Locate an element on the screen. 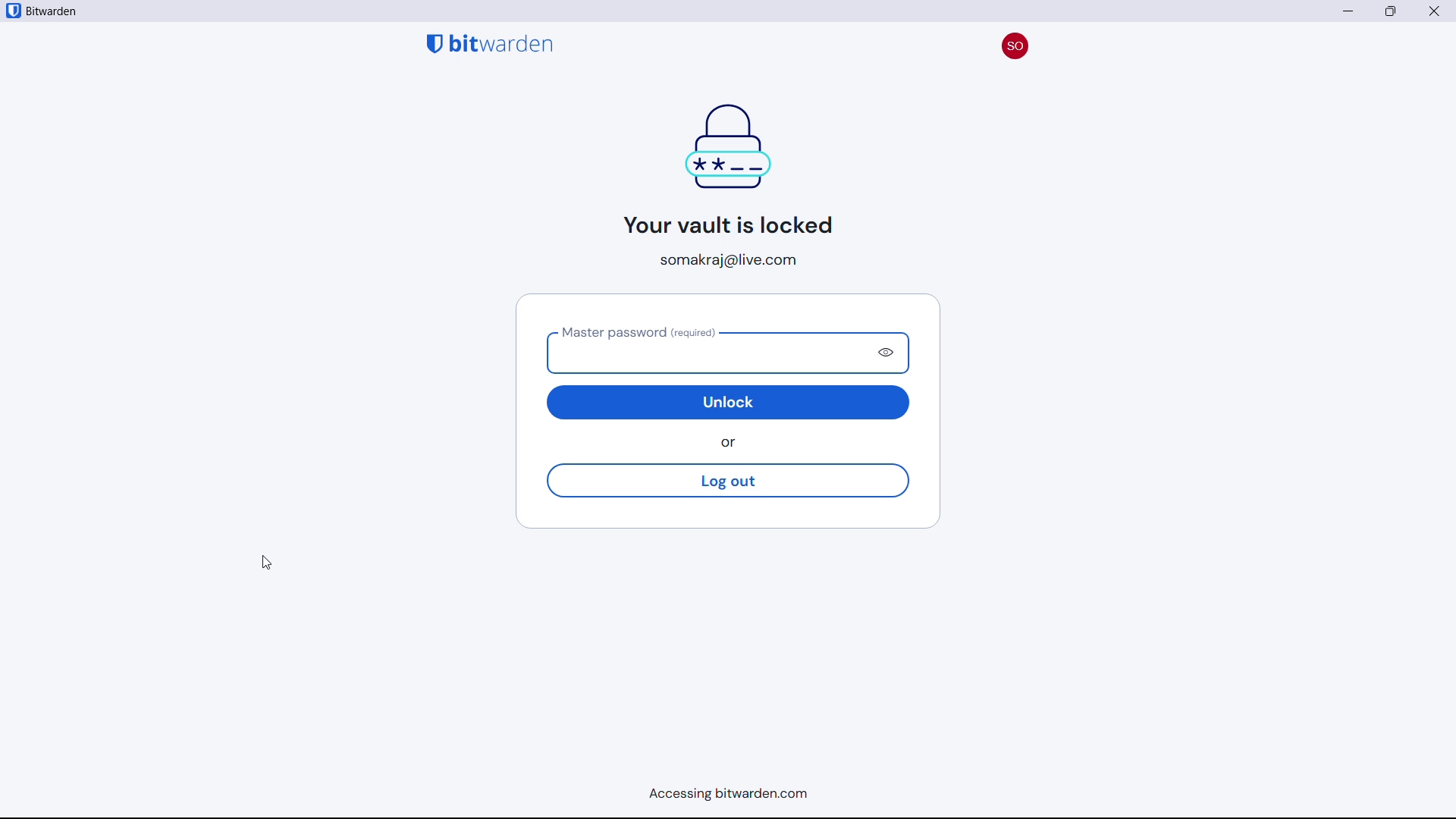 The width and height of the screenshot is (1456, 819). bitwarden logo is located at coordinates (490, 42).